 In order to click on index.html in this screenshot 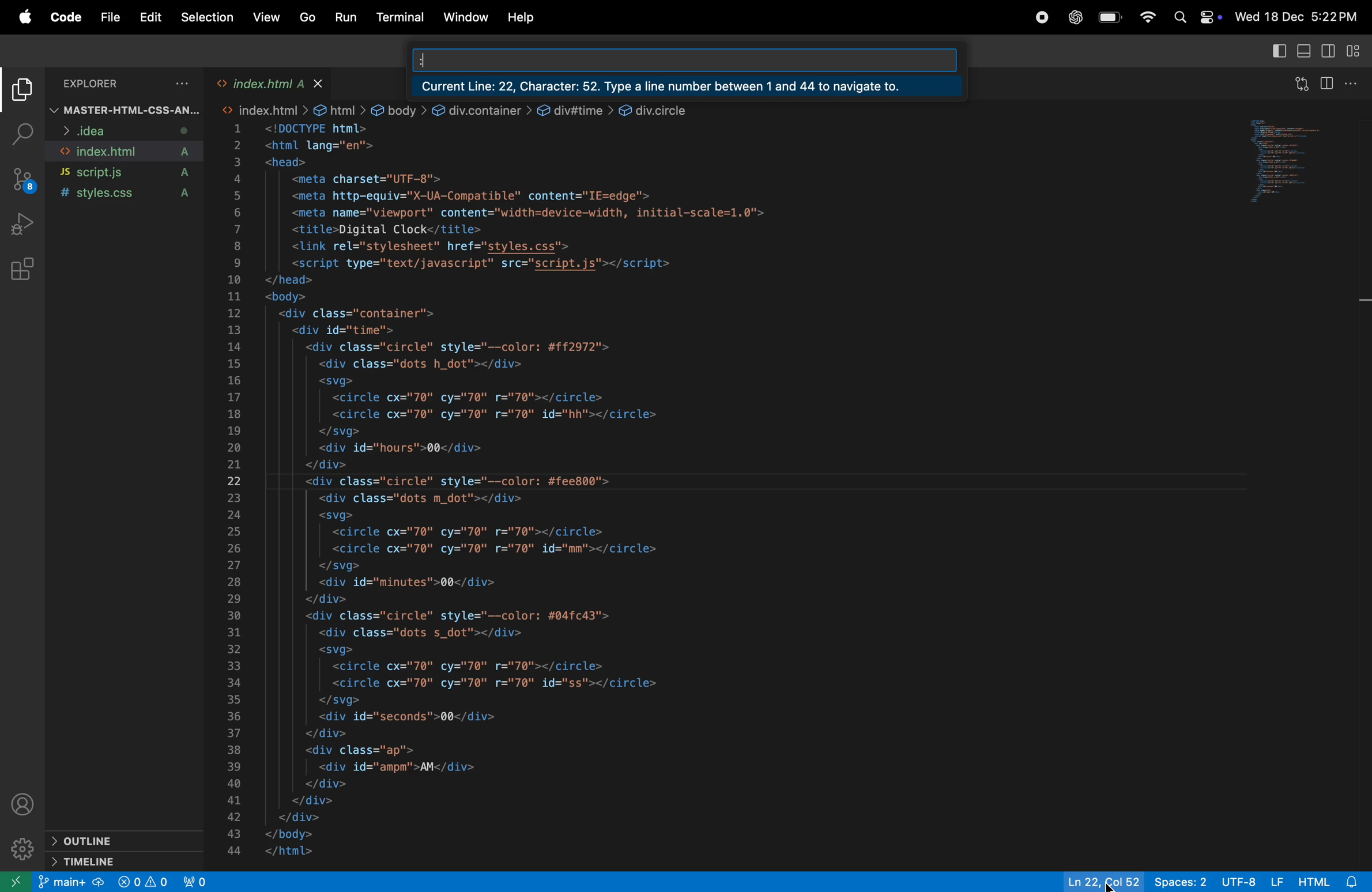, I will do `click(126, 152)`.